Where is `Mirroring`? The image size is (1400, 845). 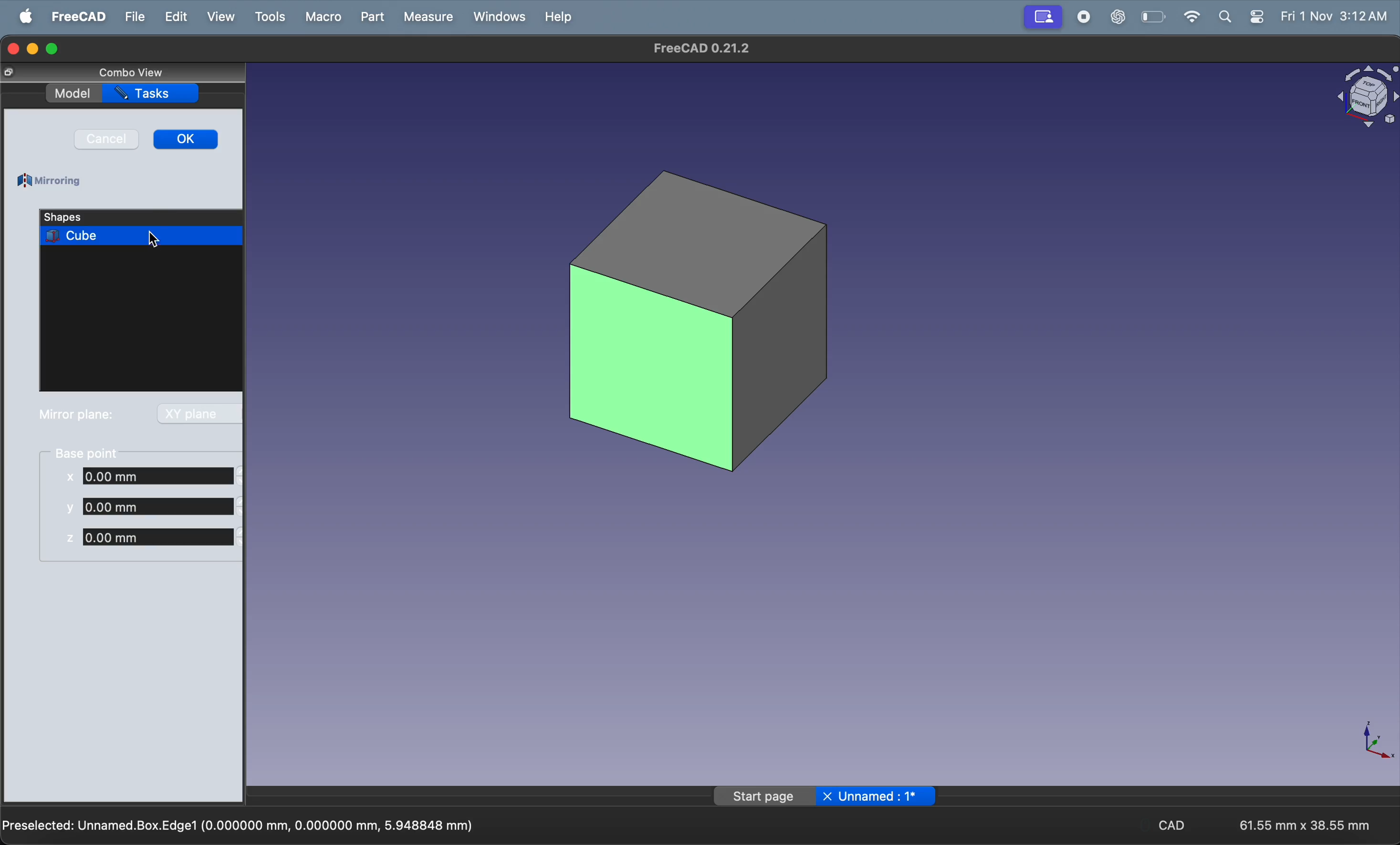 Mirroring is located at coordinates (52, 182).